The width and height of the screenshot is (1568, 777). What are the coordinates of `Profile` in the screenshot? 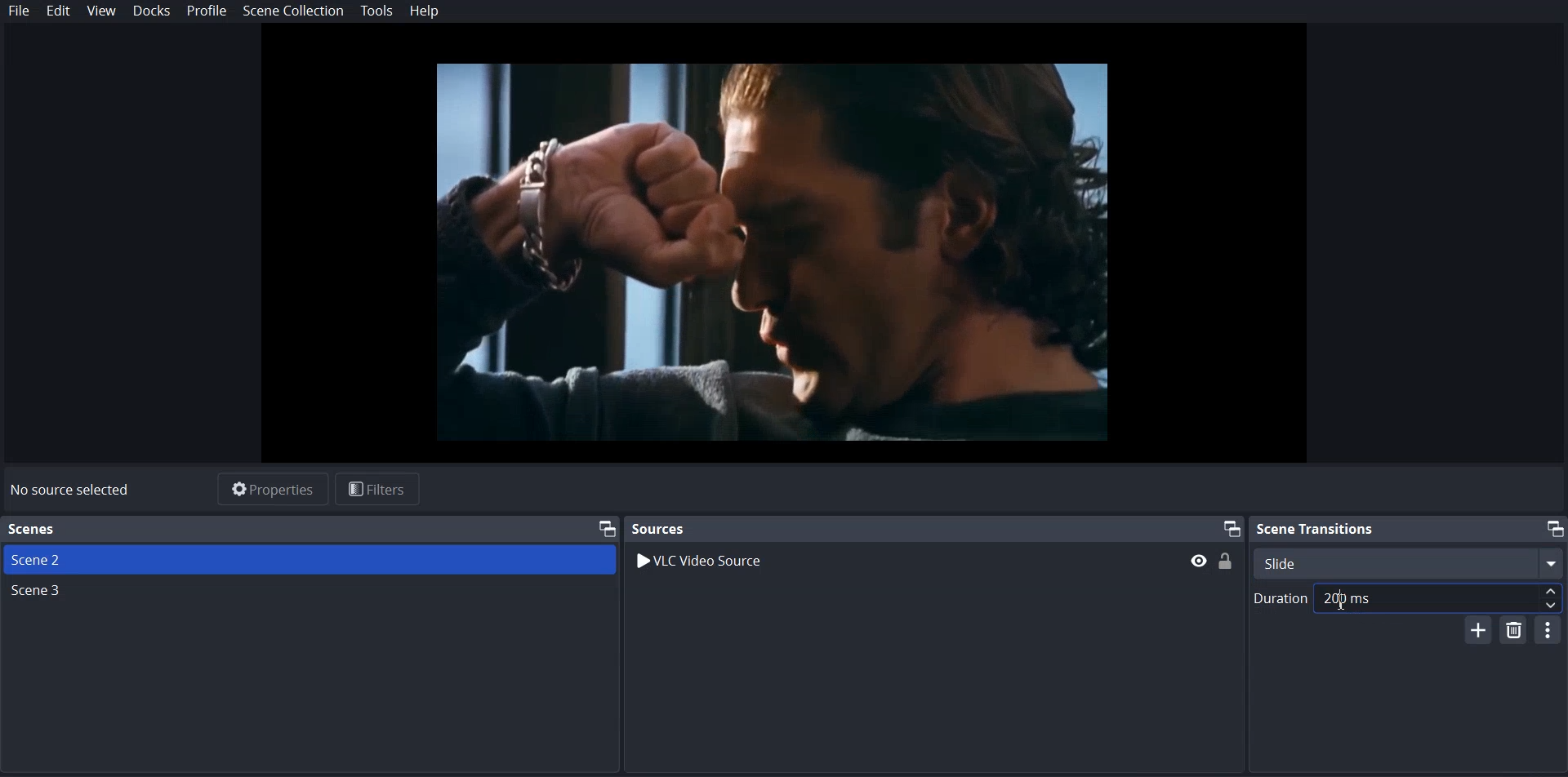 It's located at (207, 11).